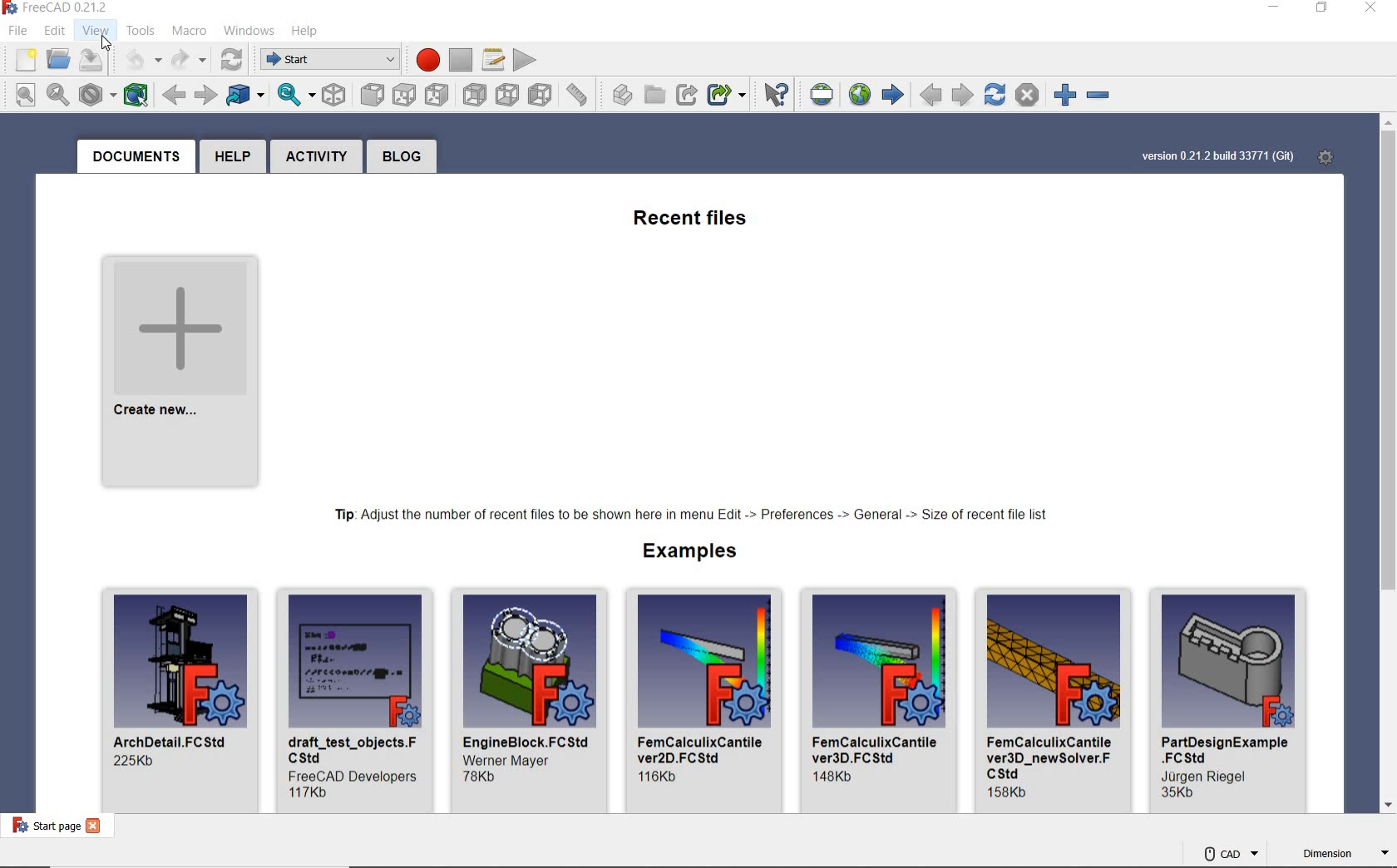 The image size is (1397, 868). What do you see at coordinates (860, 94) in the screenshot?
I see `open website` at bounding box center [860, 94].